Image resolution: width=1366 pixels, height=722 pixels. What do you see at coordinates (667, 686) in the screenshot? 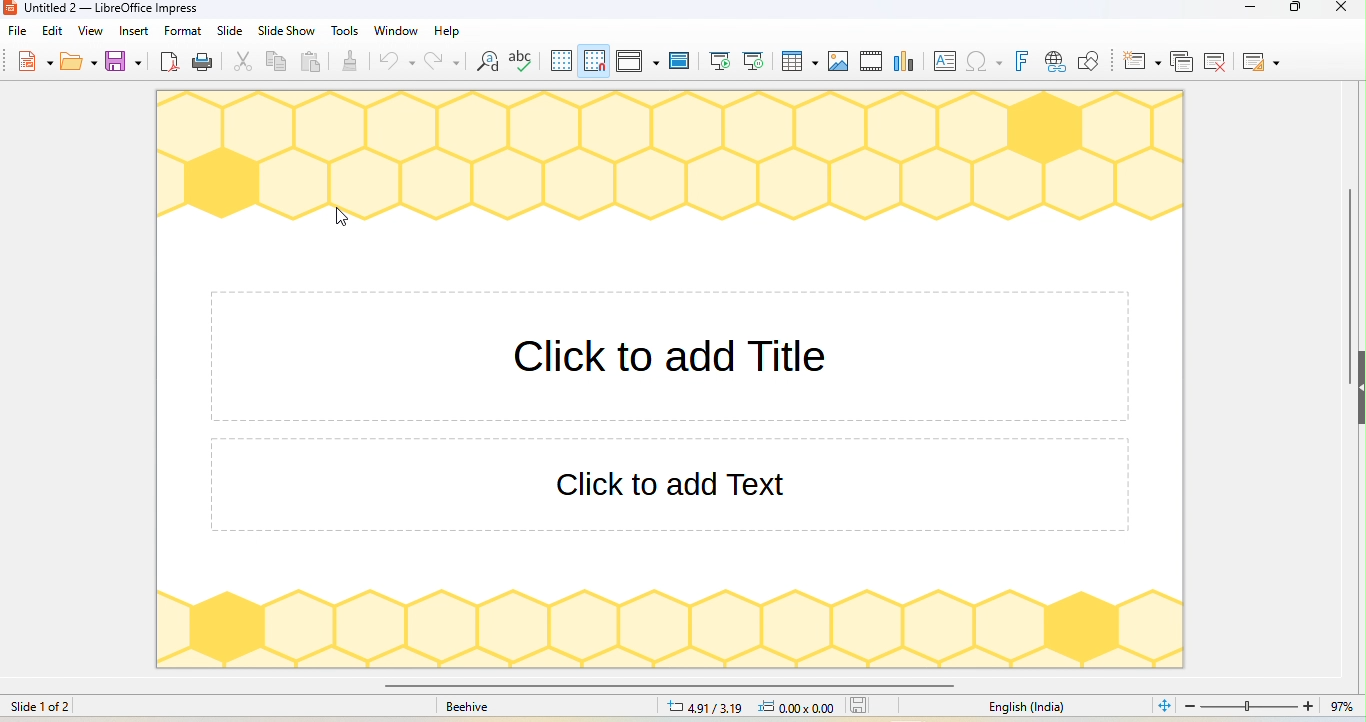
I see `horizontal scroll bar` at bounding box center [667, 686].